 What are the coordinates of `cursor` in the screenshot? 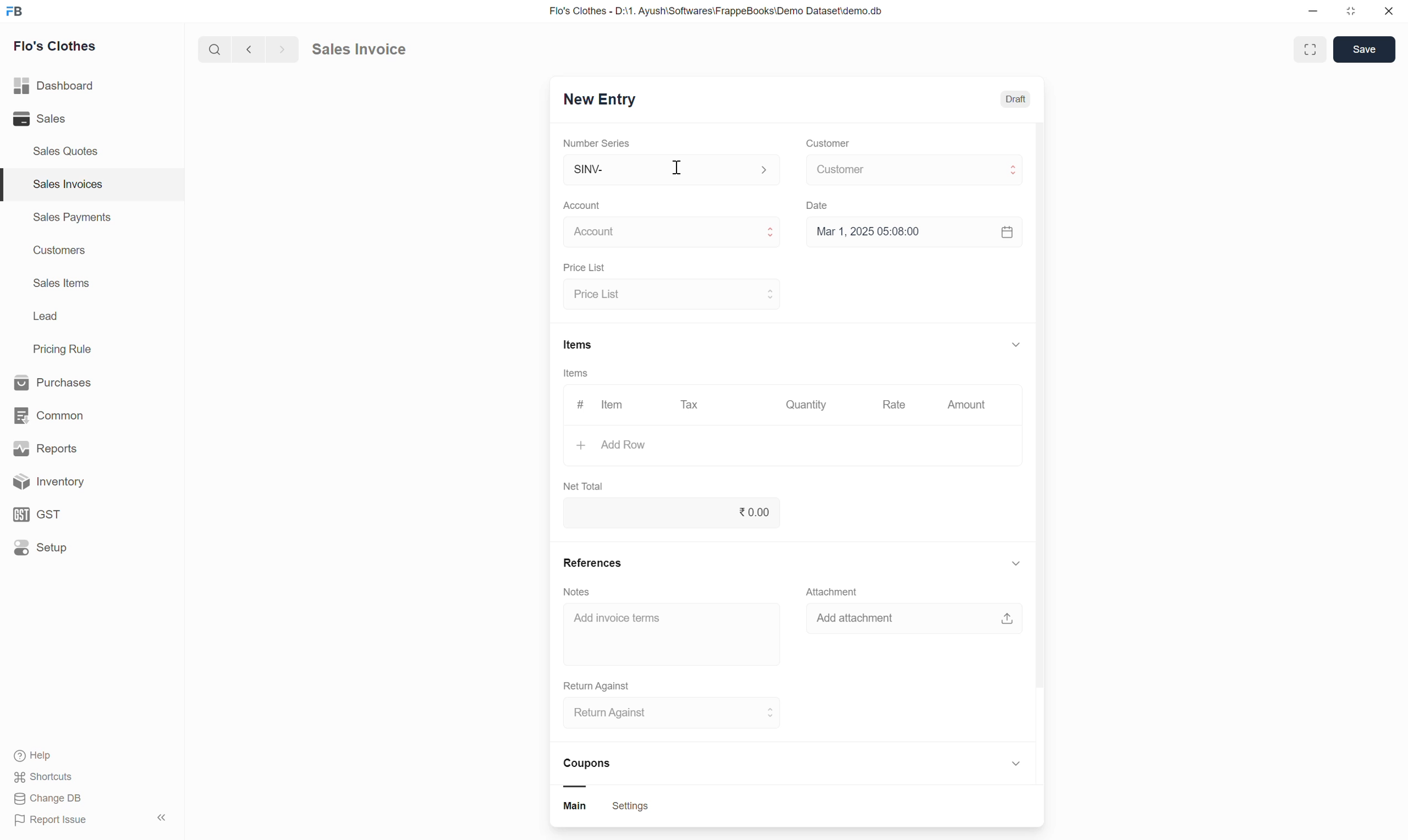 It's located at (676, 170).